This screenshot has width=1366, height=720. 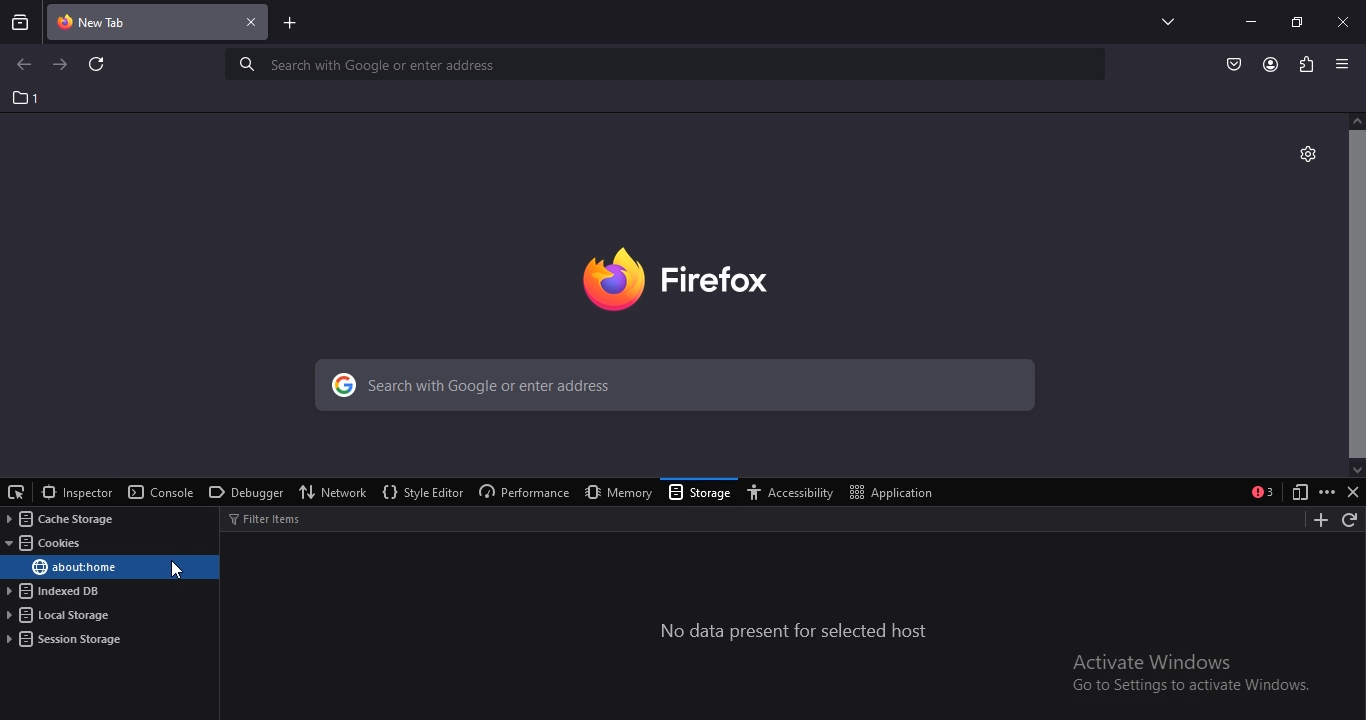 I want to click on 1, so click(x=27, y=98).